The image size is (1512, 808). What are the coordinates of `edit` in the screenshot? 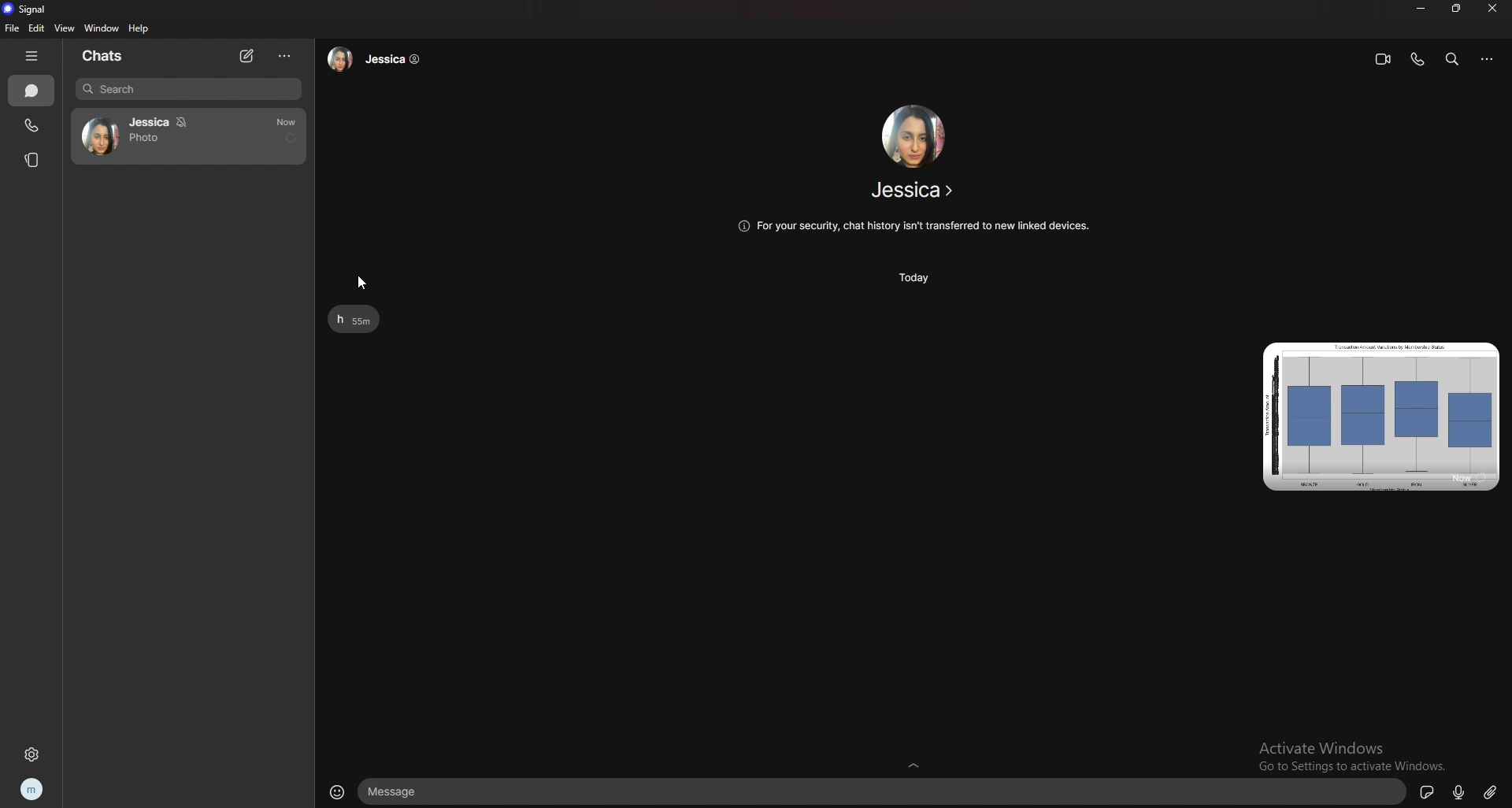 It's located at (38, 28).